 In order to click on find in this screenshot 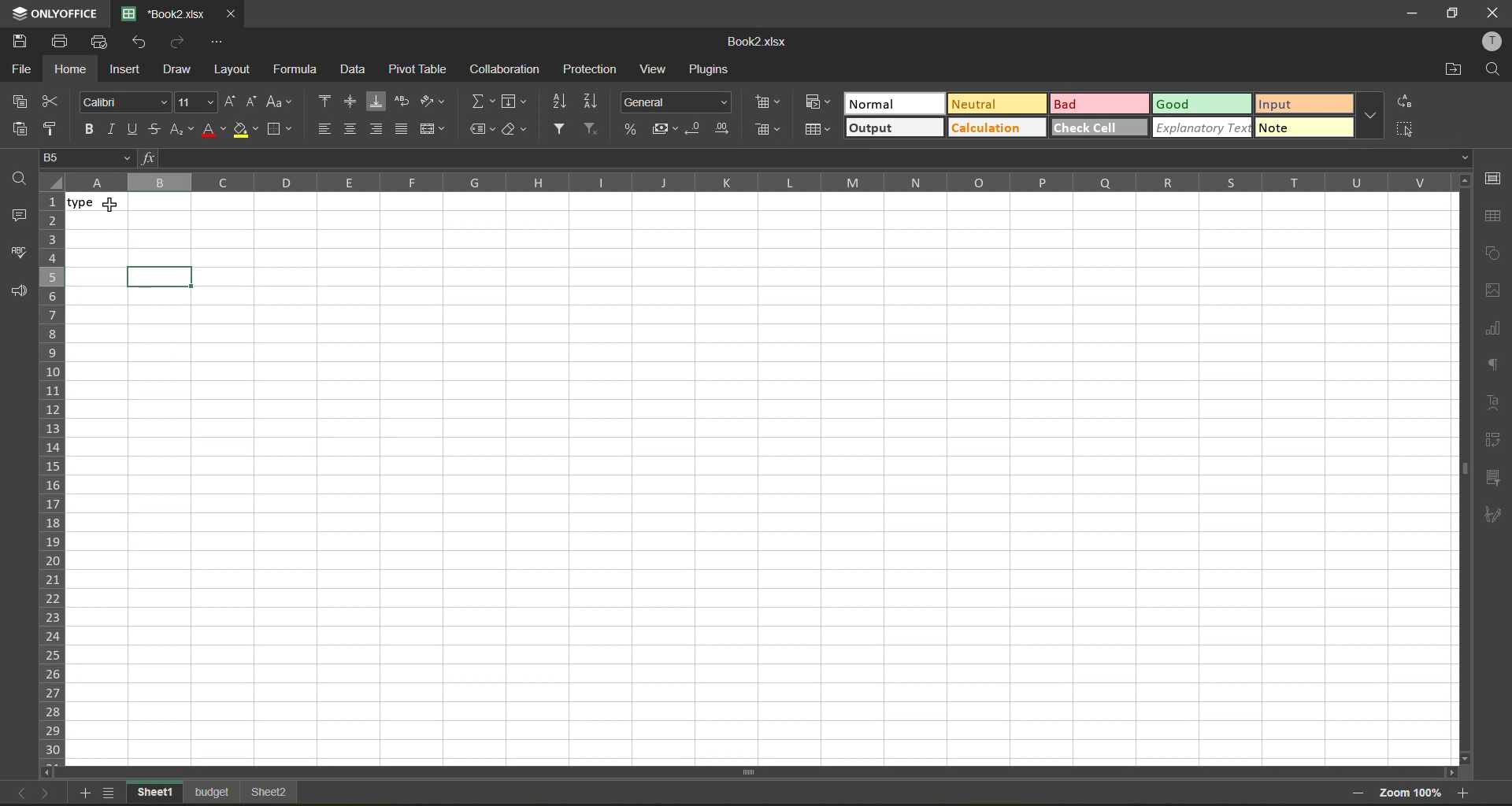, I will do `click(1492, 70)`.